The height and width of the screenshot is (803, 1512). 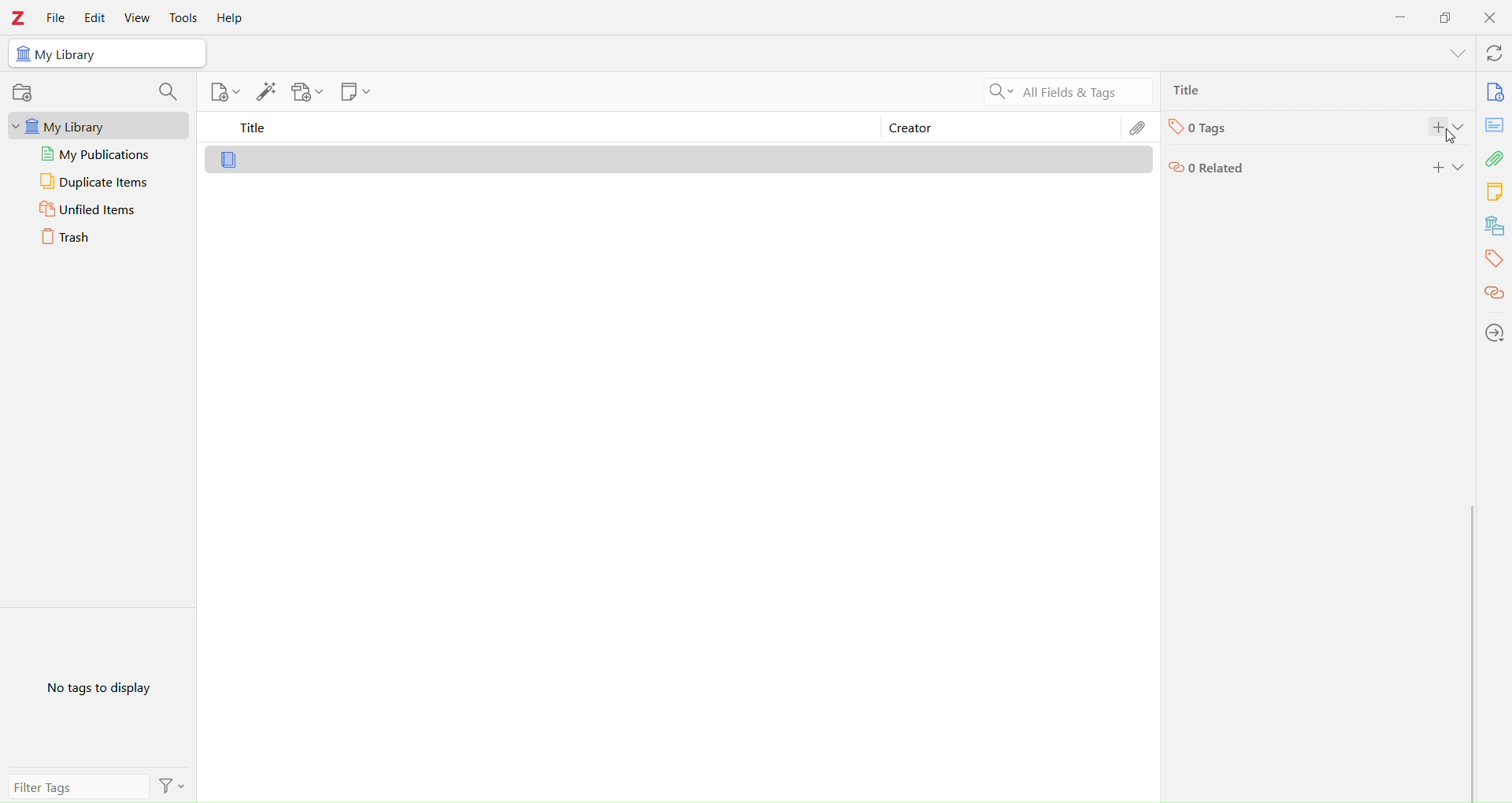 What do you see at coordinates (107, 54) in the screenshot?
I see `My Library` at bounding box center [107, 54].